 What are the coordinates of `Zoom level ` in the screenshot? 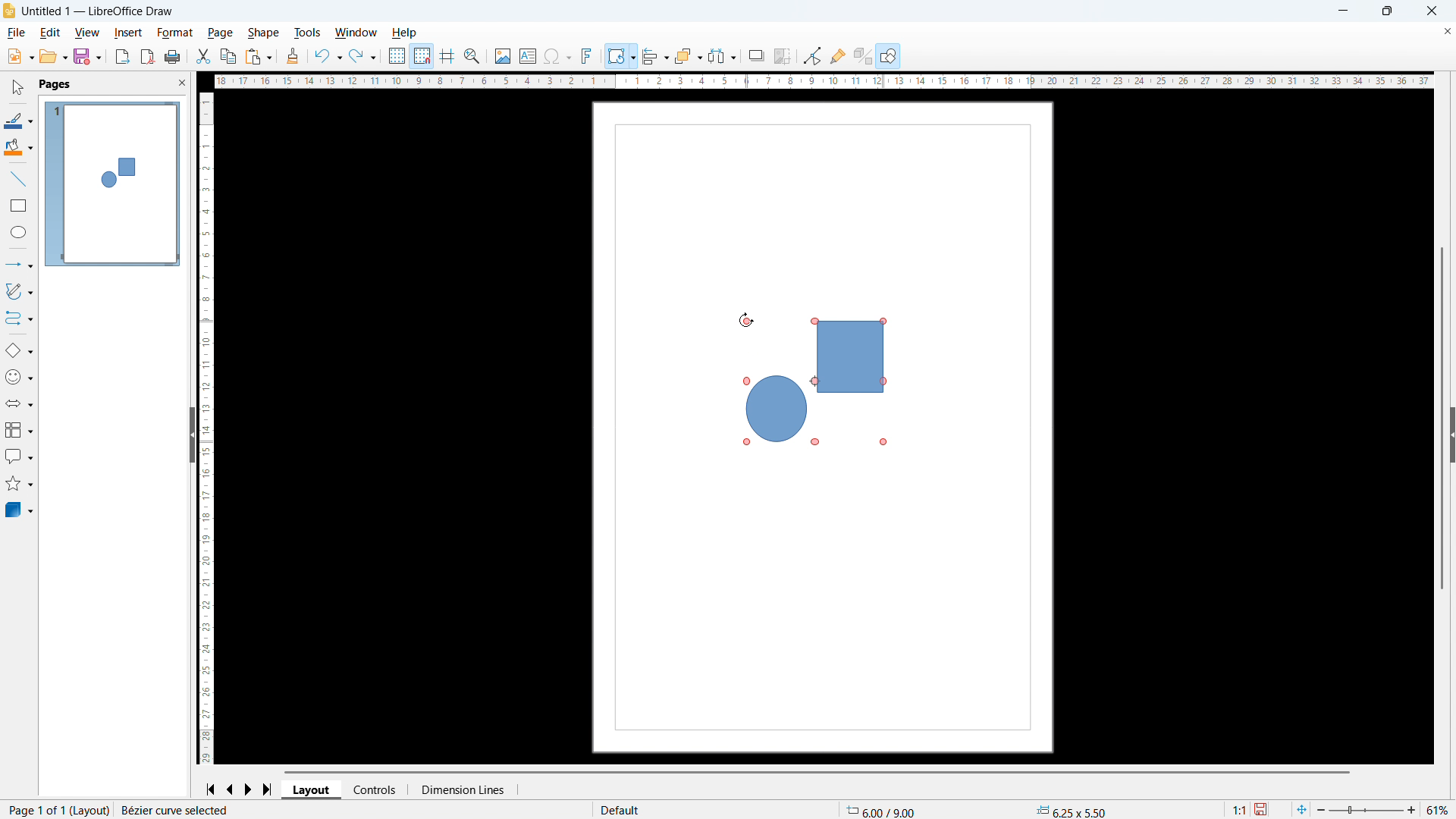 It's located at (1437, 809).